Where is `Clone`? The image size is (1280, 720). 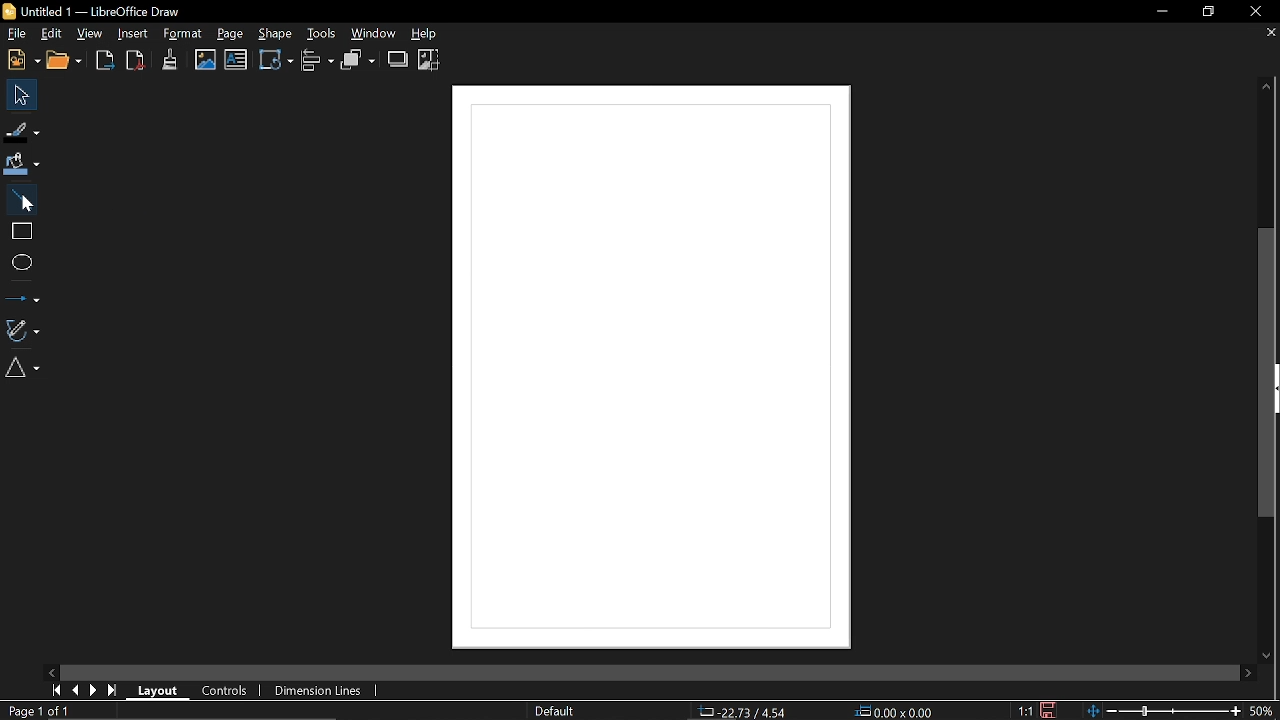 Clone is located at coordinates (171, 59).